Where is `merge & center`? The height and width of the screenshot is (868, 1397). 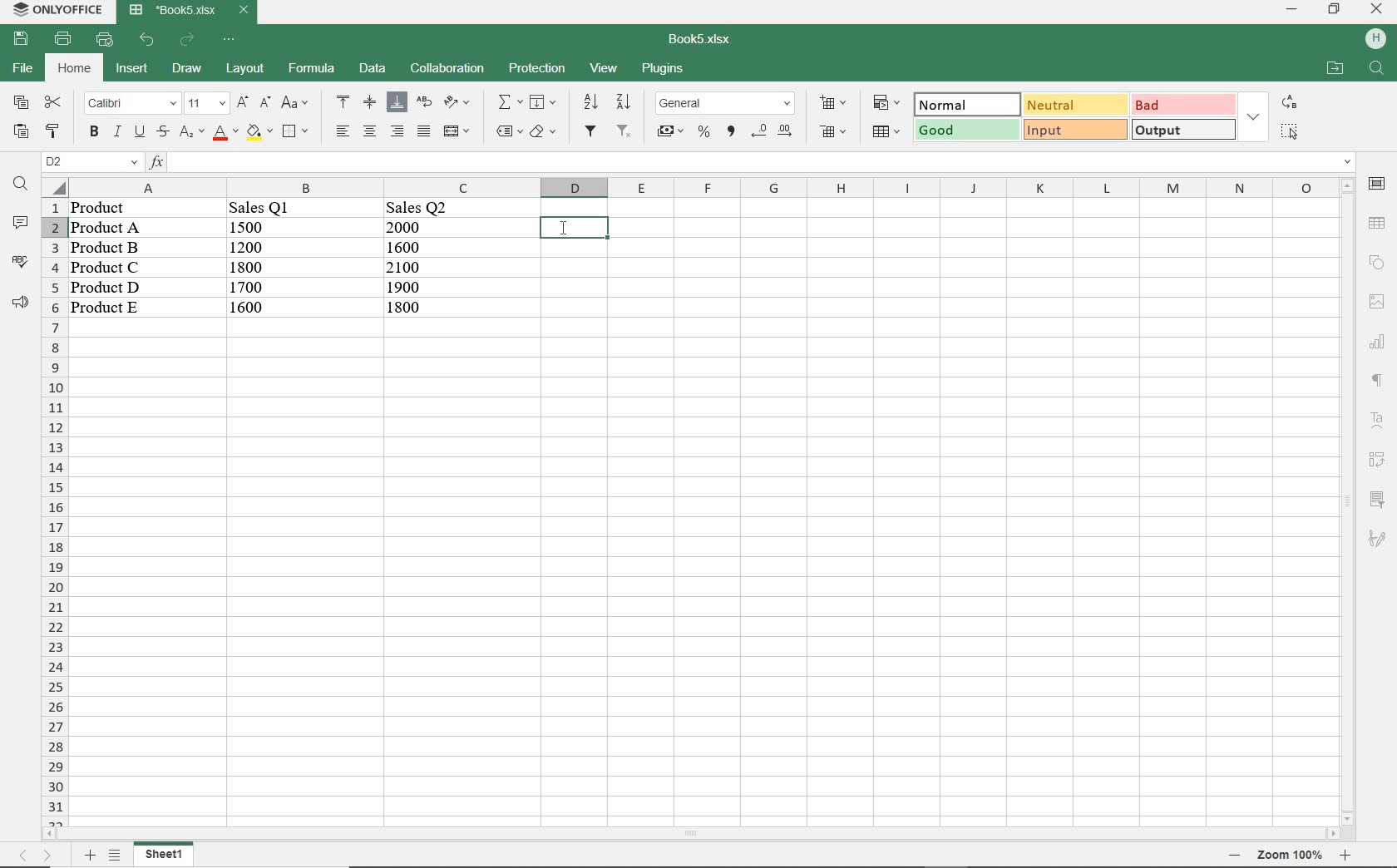
merge & center is located at coordinates (457, 133).